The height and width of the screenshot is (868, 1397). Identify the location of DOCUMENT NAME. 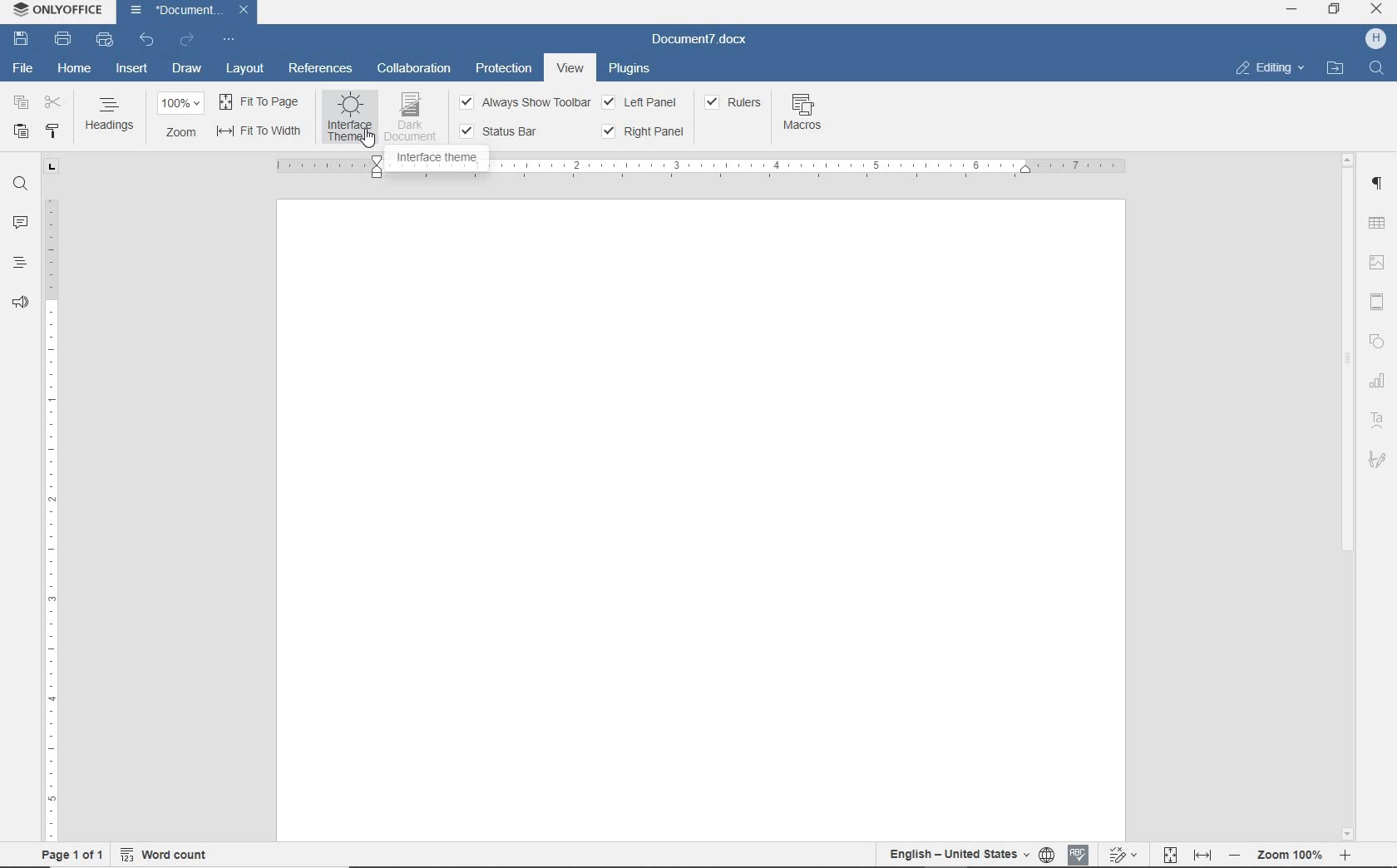
(190, 11).